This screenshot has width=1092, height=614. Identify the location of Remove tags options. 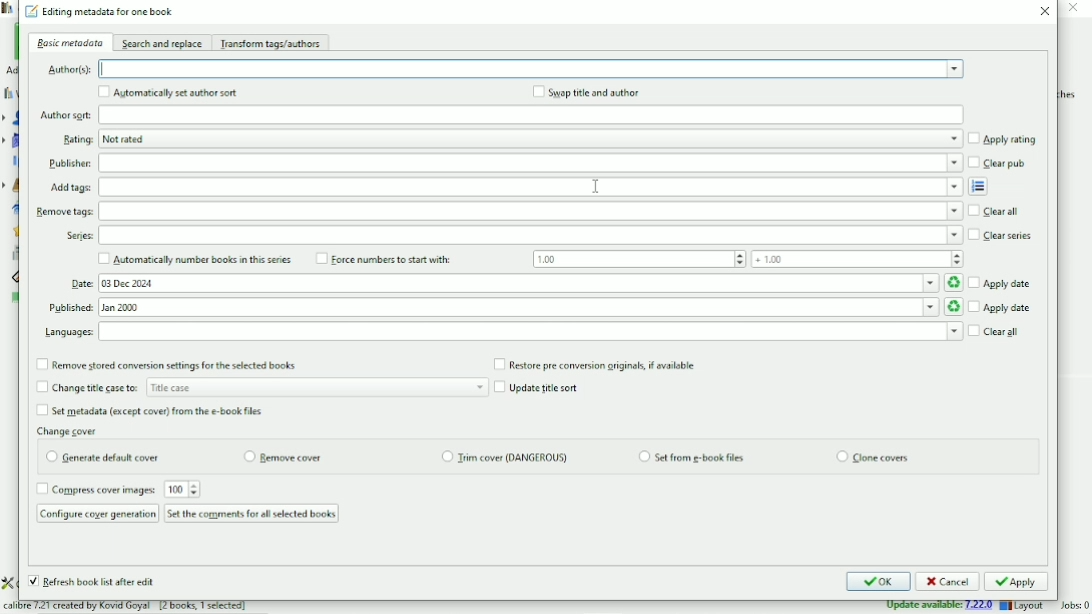
(531, 212).